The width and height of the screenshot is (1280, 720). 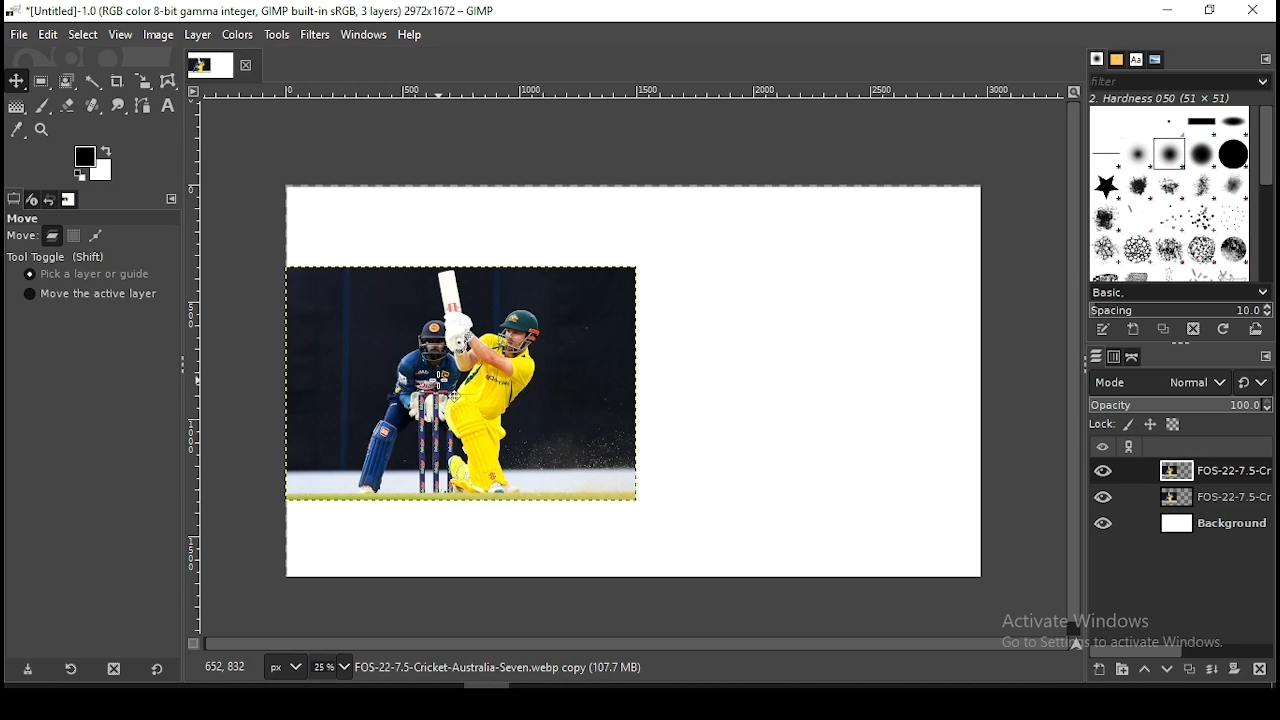 I want to click on refresh brushes, so click(x=1225, y=329).